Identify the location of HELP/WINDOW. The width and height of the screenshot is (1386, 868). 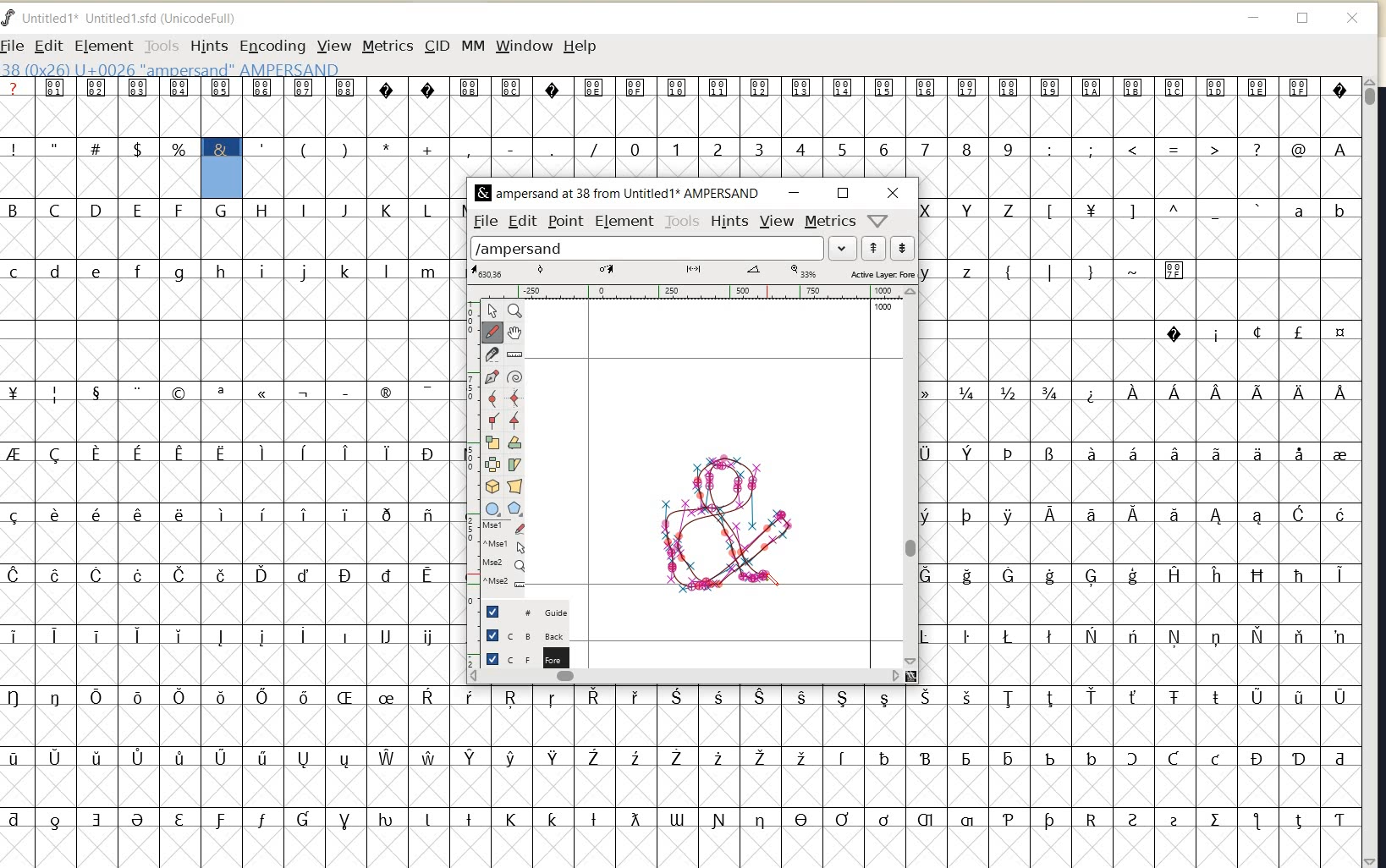
(878, 220).